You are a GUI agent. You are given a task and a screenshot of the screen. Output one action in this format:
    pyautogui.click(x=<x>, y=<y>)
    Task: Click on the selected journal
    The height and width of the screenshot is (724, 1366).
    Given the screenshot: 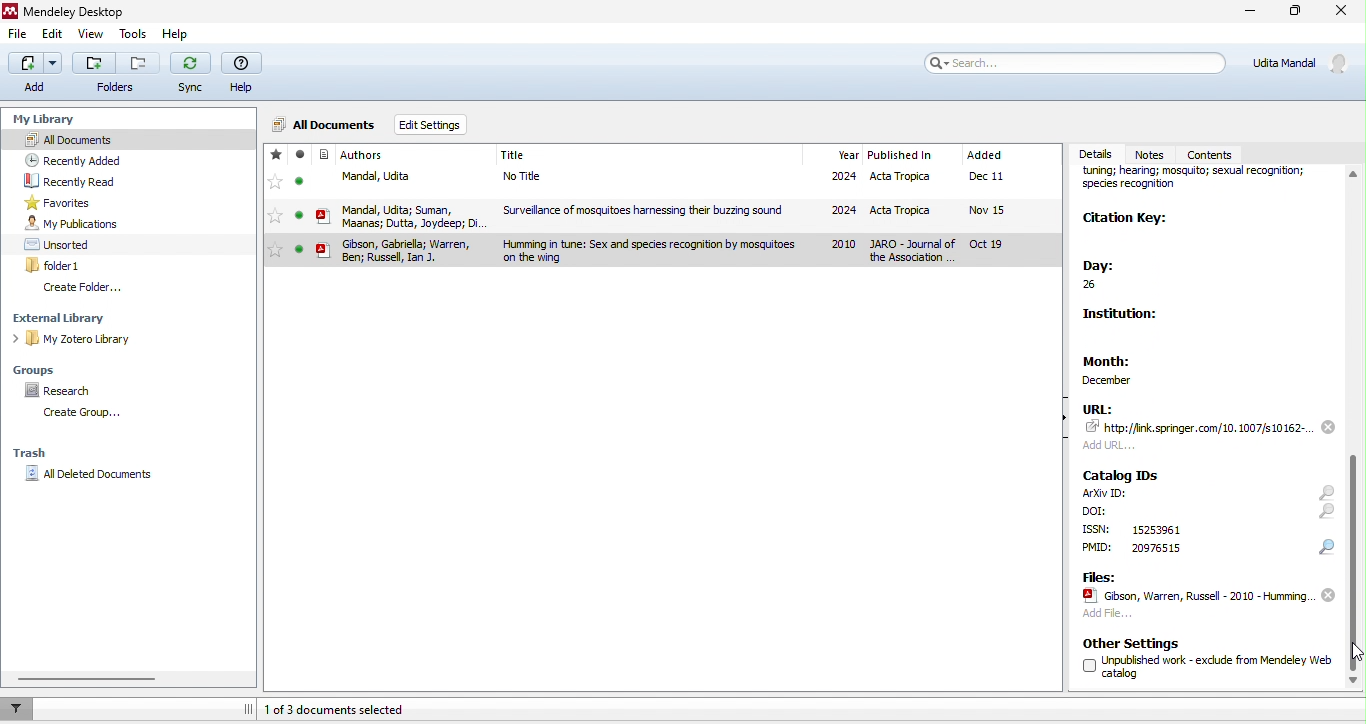 What is the action you would take?
    pyautogui.click(x=661, y=251)
    